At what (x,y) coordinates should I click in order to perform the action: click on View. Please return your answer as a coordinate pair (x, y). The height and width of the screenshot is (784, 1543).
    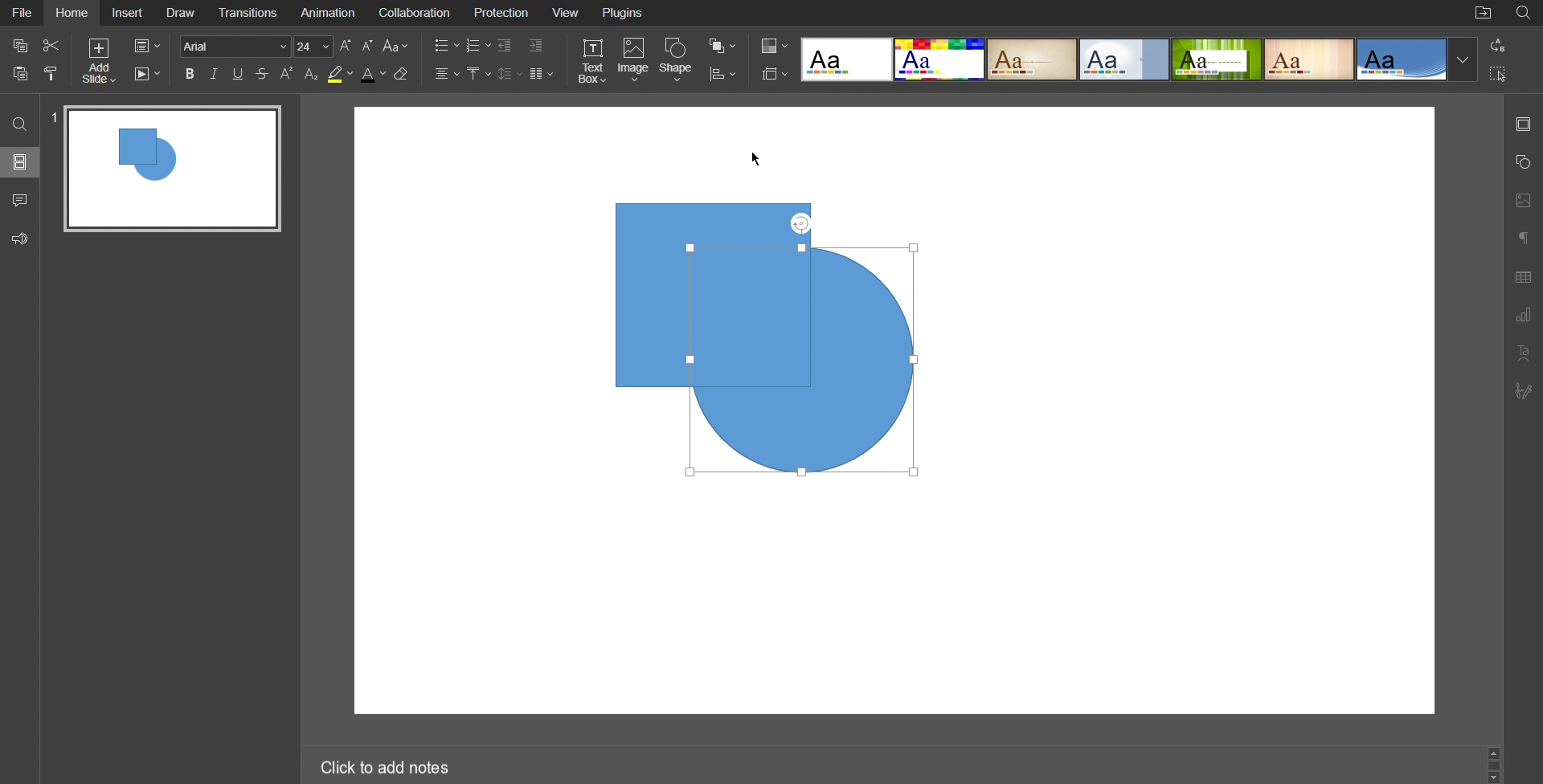
    Looking at the image, I should click on (564, 13).